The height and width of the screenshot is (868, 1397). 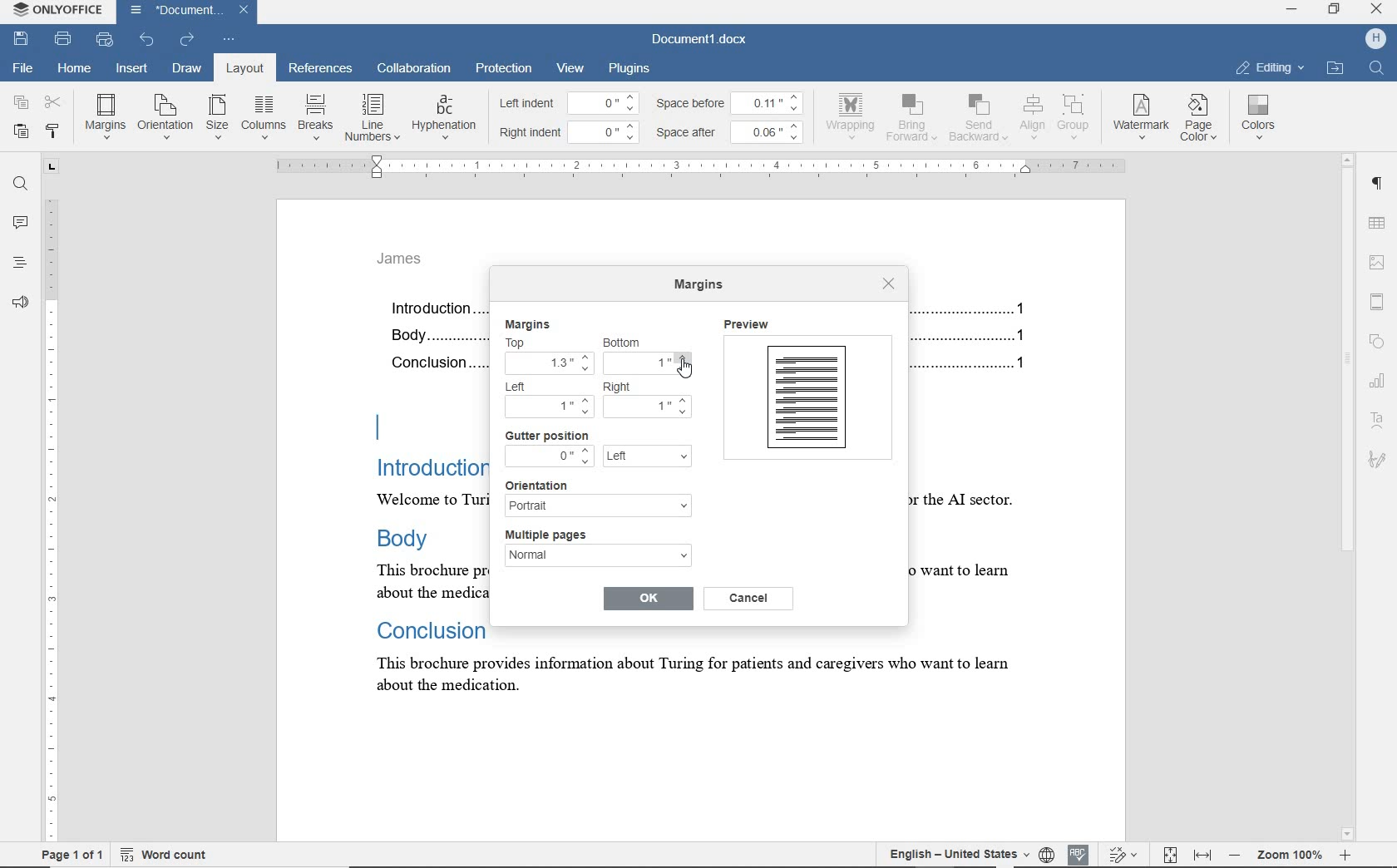 What do you see at coordinates (597, 506) in the screenshot?
I see `portrait` at bounding box center [597, 506].